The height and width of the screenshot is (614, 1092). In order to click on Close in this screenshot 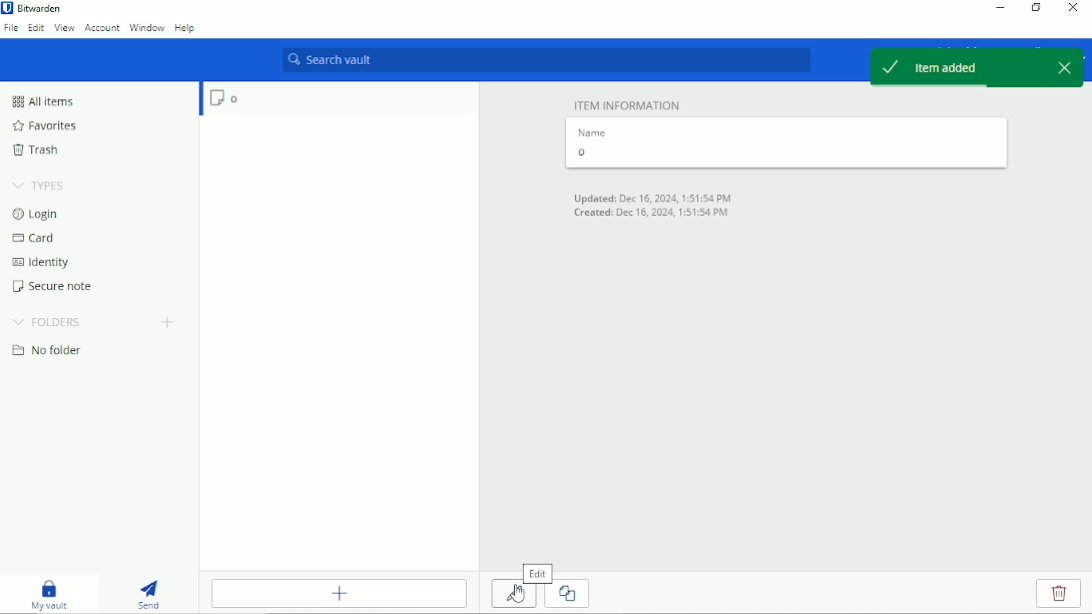, I will do `click(1074, 7)`.